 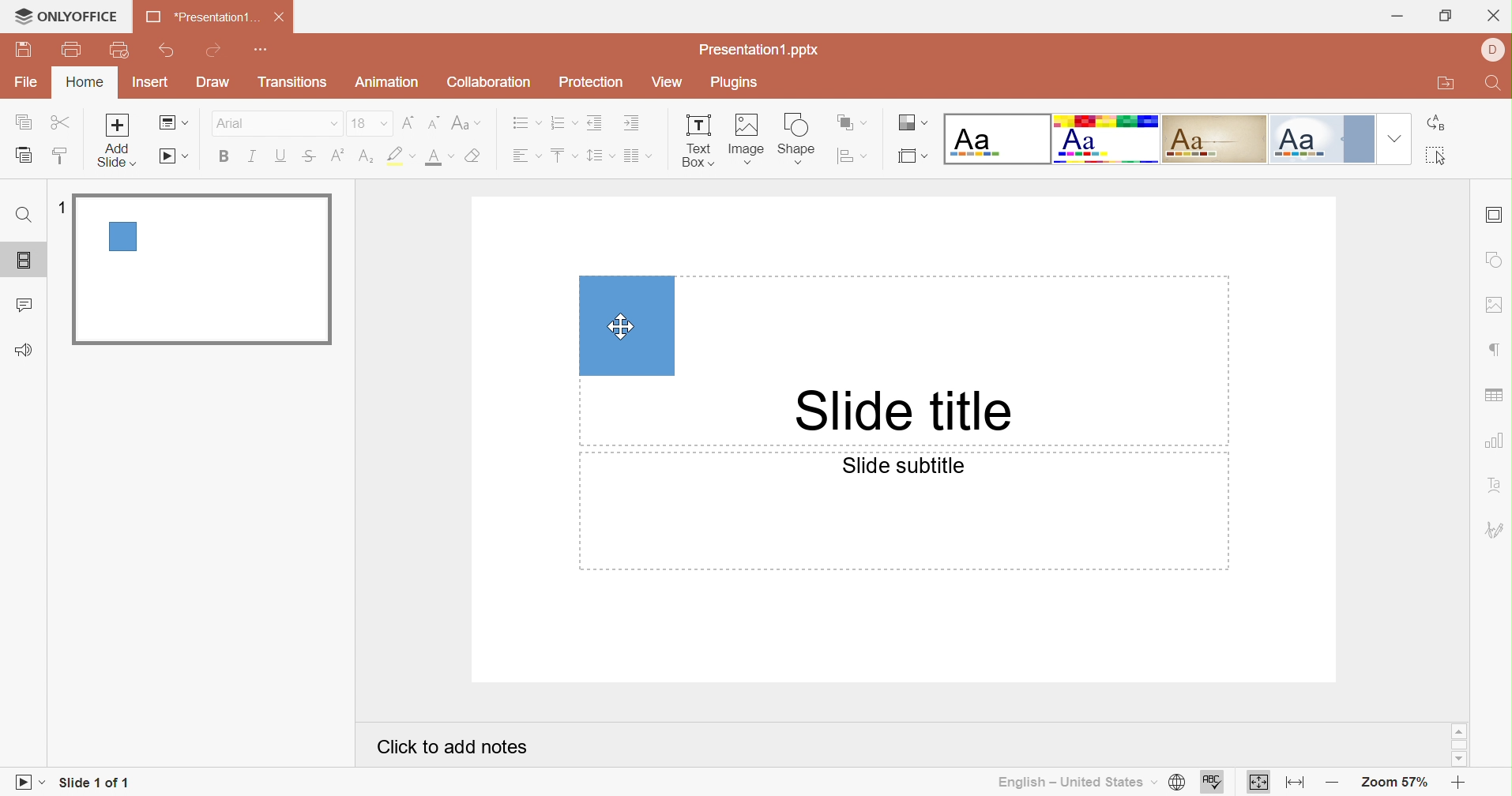 What do you see at coordinates (23, 123) in the screenshot?
I see `Copy` at bounding box center [23, 123].